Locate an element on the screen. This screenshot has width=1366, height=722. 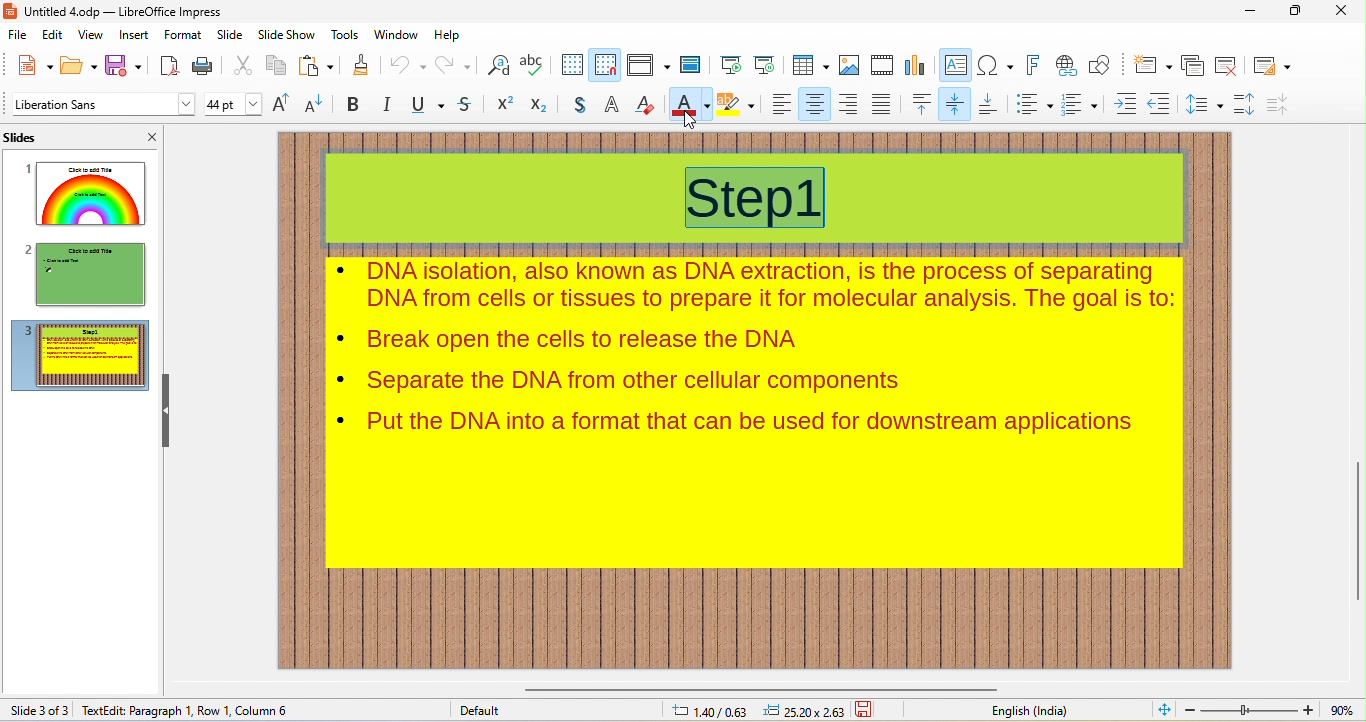
vertical scroll is located at coordinates (1351, 523).